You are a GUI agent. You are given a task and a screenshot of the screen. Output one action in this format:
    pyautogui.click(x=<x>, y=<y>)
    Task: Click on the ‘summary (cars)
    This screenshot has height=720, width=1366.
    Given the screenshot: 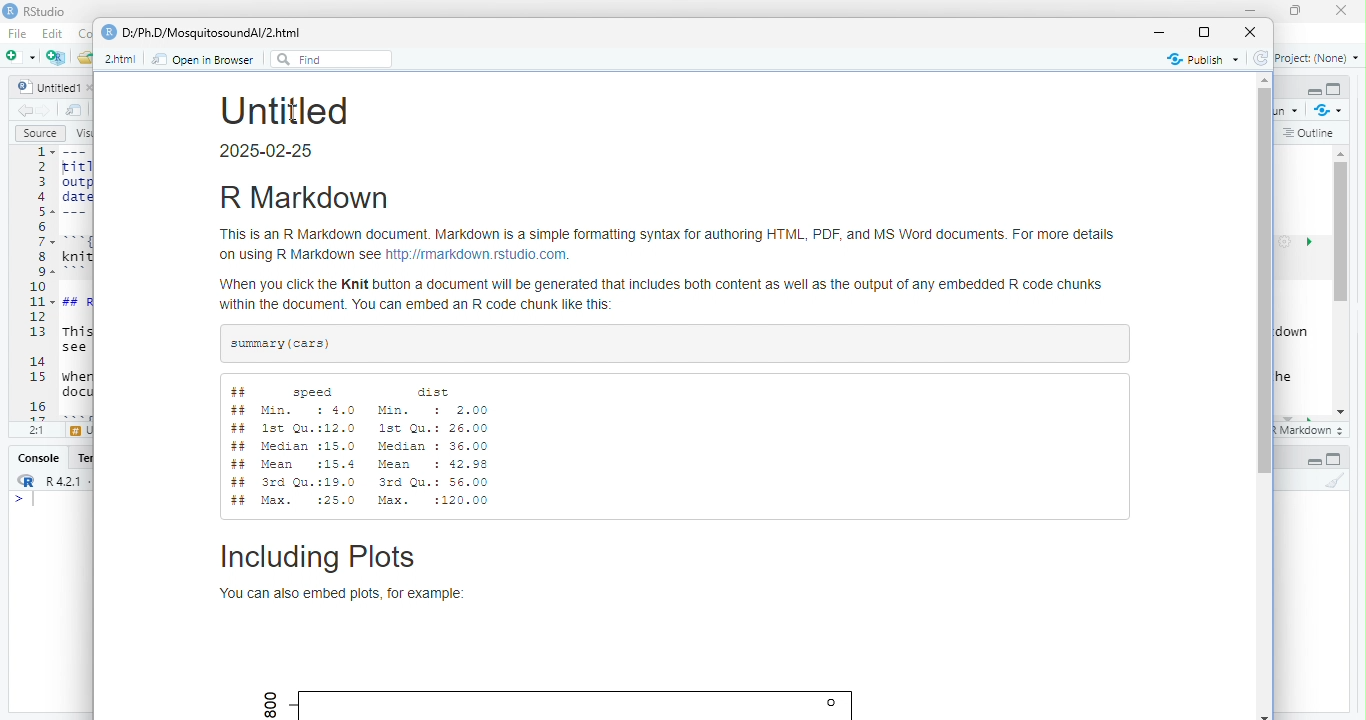 What is the action you would take?
    pyautogui.click(x=282, y=344)
    